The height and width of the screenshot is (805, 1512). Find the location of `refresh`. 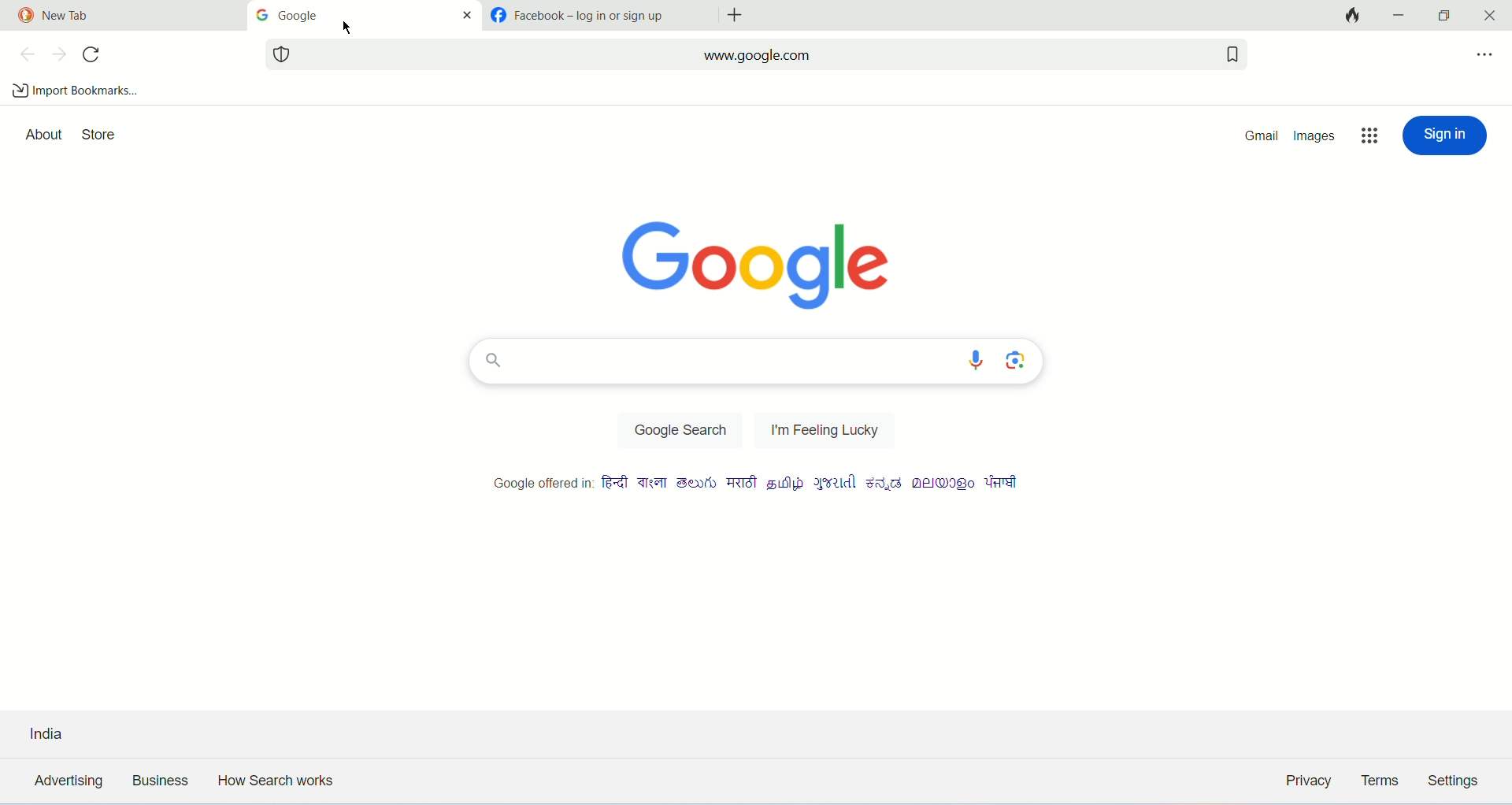

refresh is located at coordinates (92, 54).